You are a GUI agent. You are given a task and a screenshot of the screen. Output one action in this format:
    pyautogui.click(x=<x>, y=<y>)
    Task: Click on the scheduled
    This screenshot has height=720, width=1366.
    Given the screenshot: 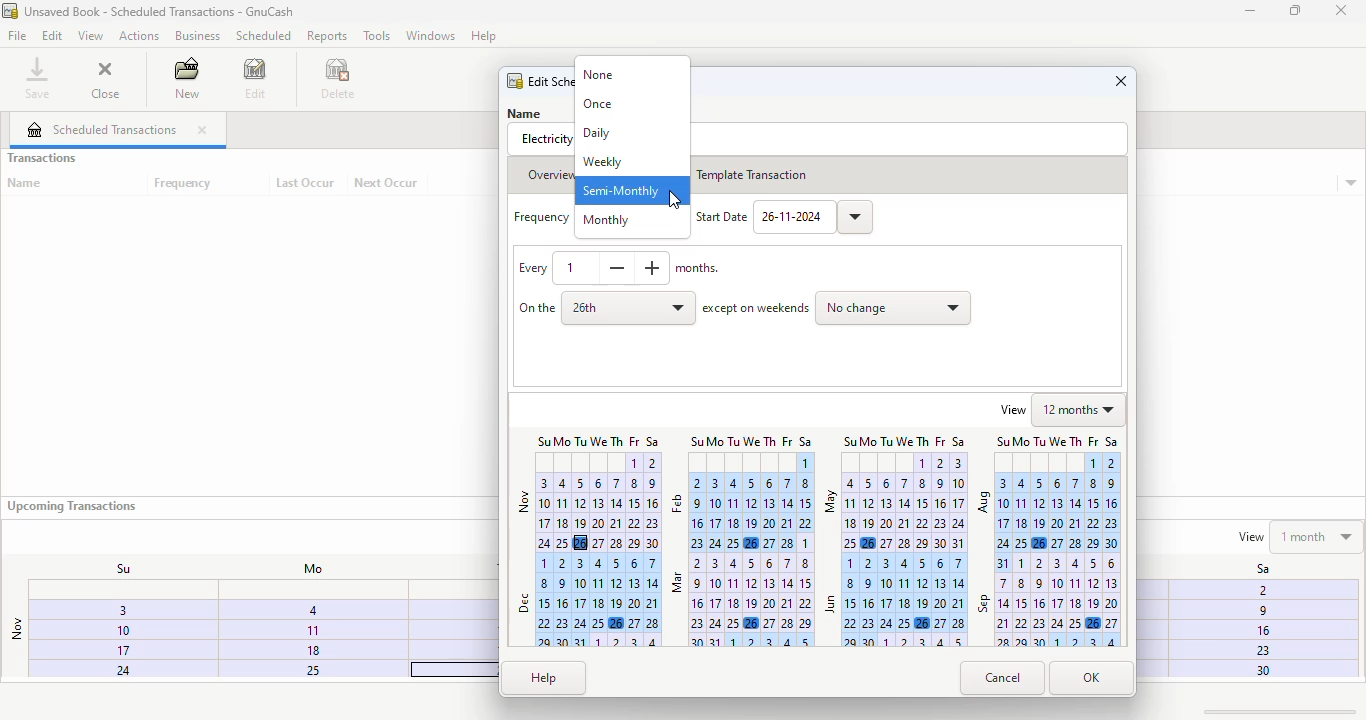 What is the action you would take?
    pyautogui.click(x=263, y=35)
    